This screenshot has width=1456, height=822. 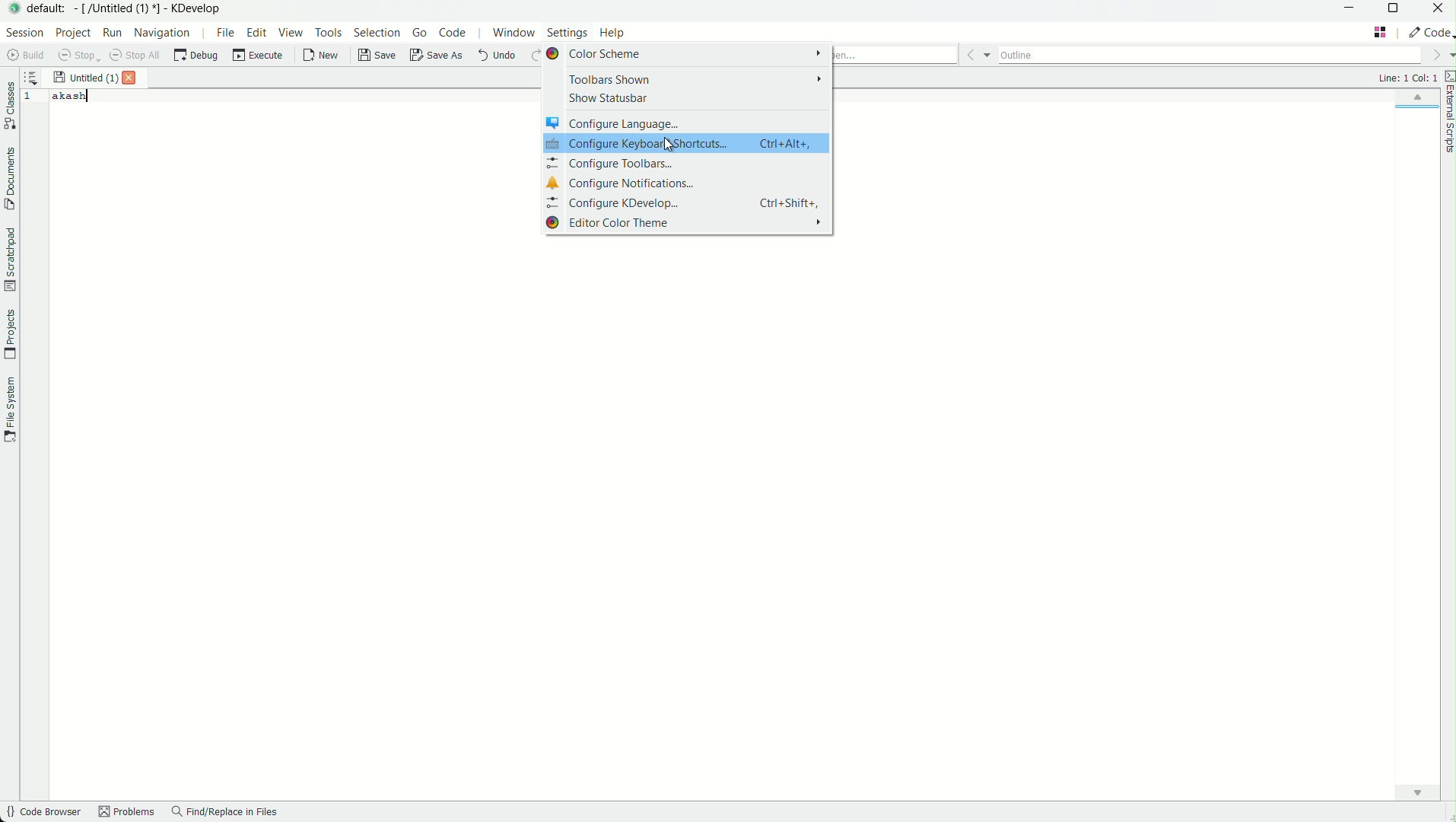 What do you see at coordinates (49, 8) in the screenshot?
I see `default` at bounding box center [49, 8].